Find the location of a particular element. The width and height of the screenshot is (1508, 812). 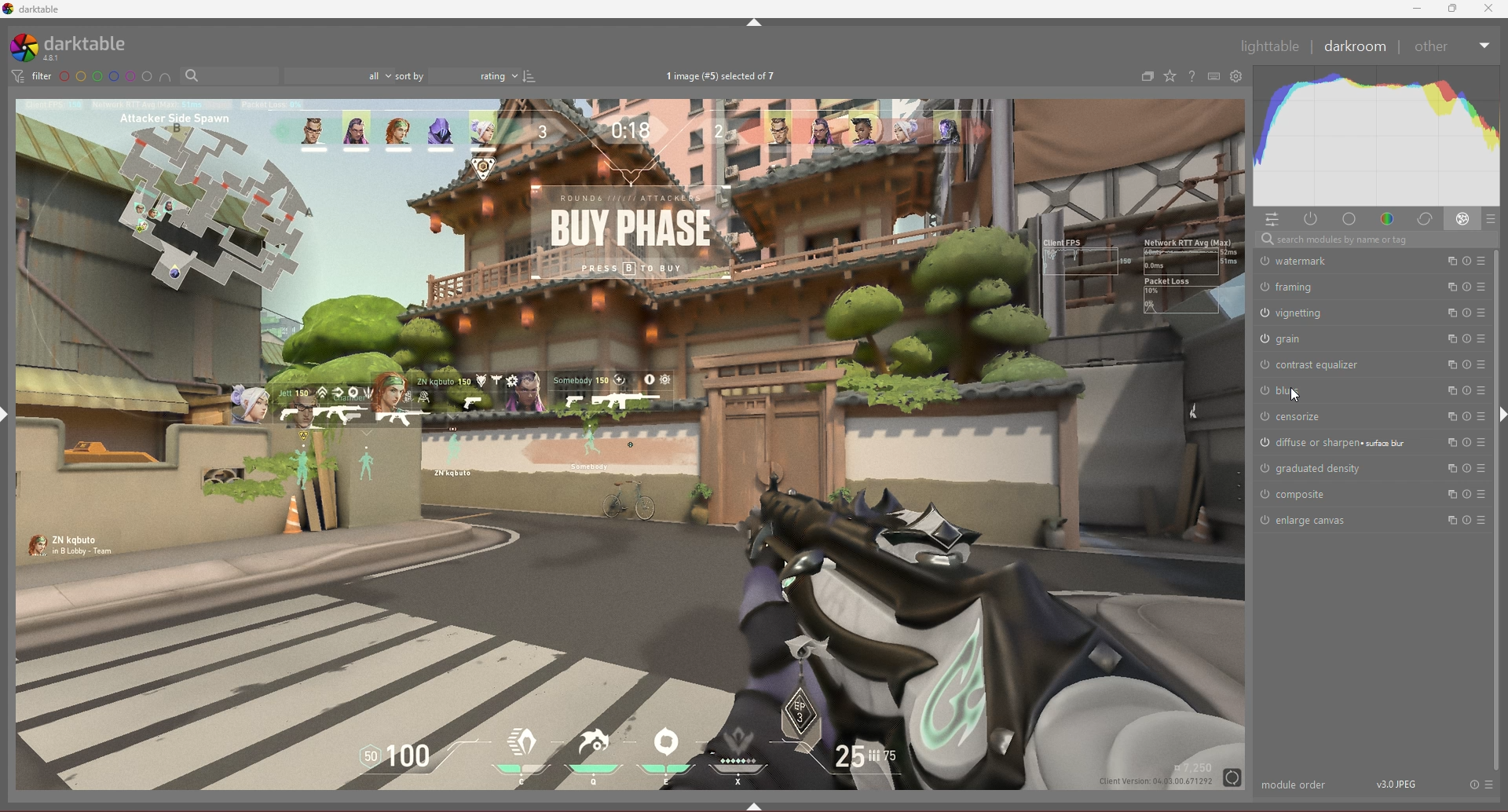

reset is located at coordinates (1466, 442).